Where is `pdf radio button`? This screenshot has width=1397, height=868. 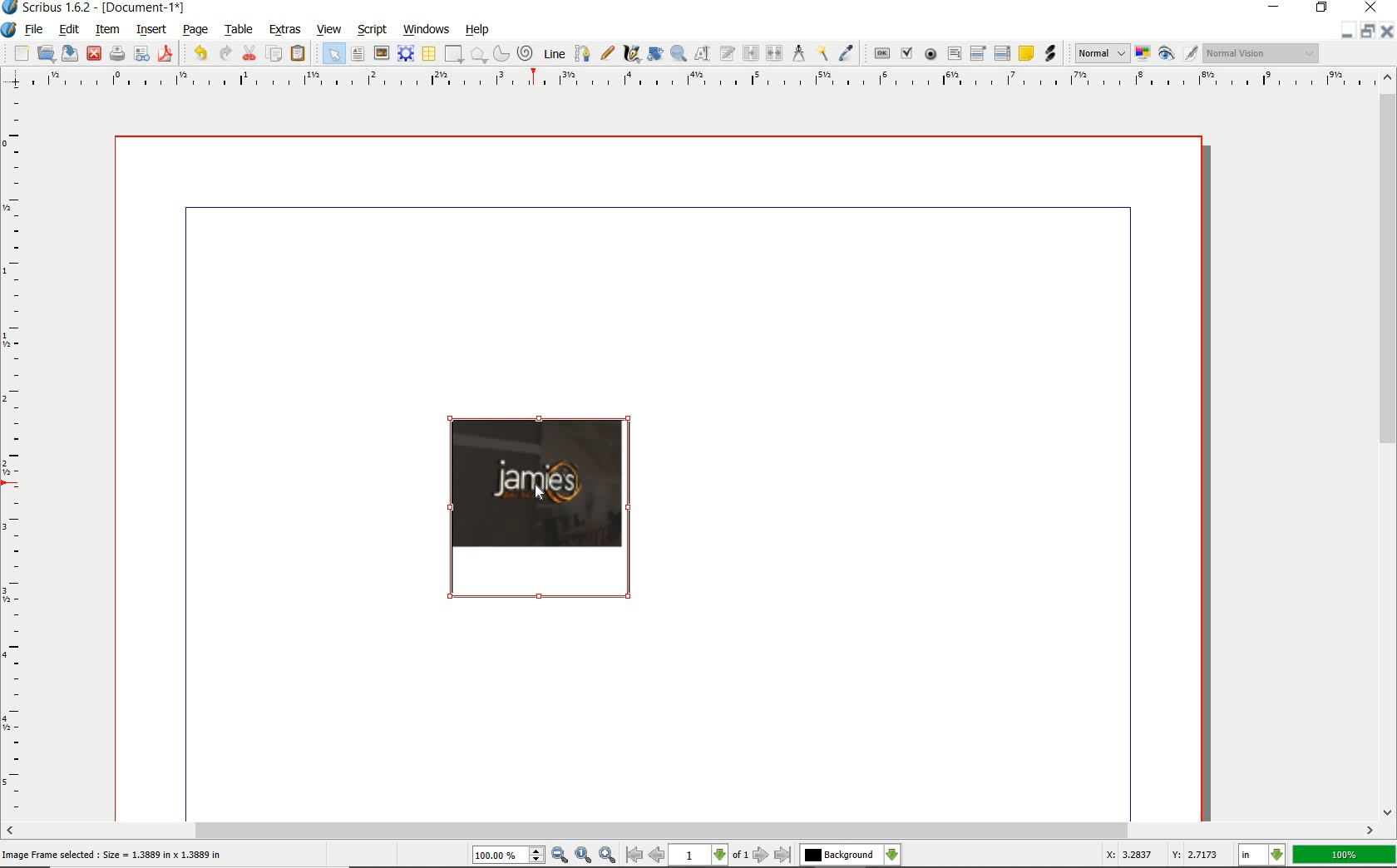 pdf radio button is located at coordinates (932, 54).